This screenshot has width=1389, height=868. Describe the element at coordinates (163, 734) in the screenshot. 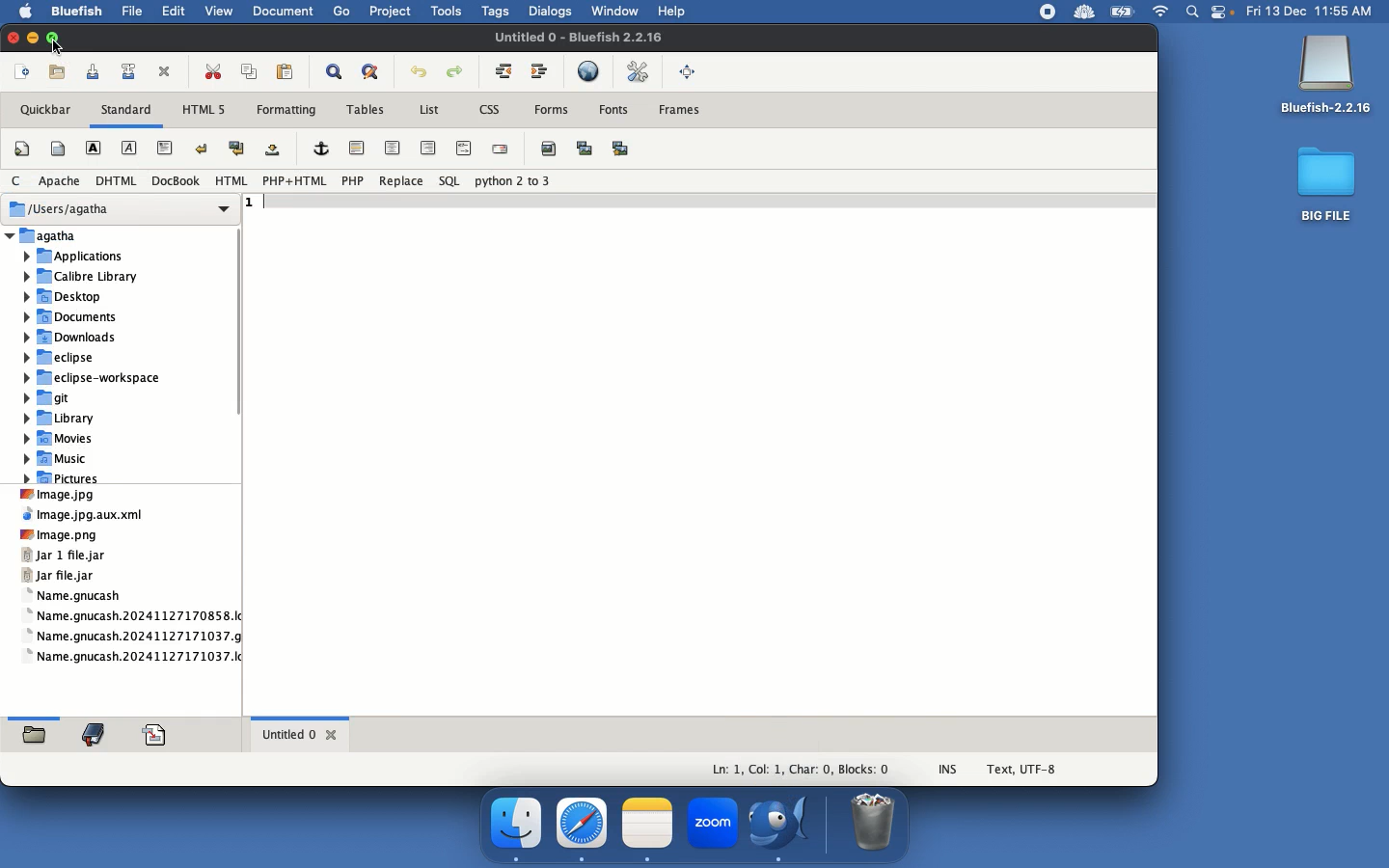

I see `save` at that location.